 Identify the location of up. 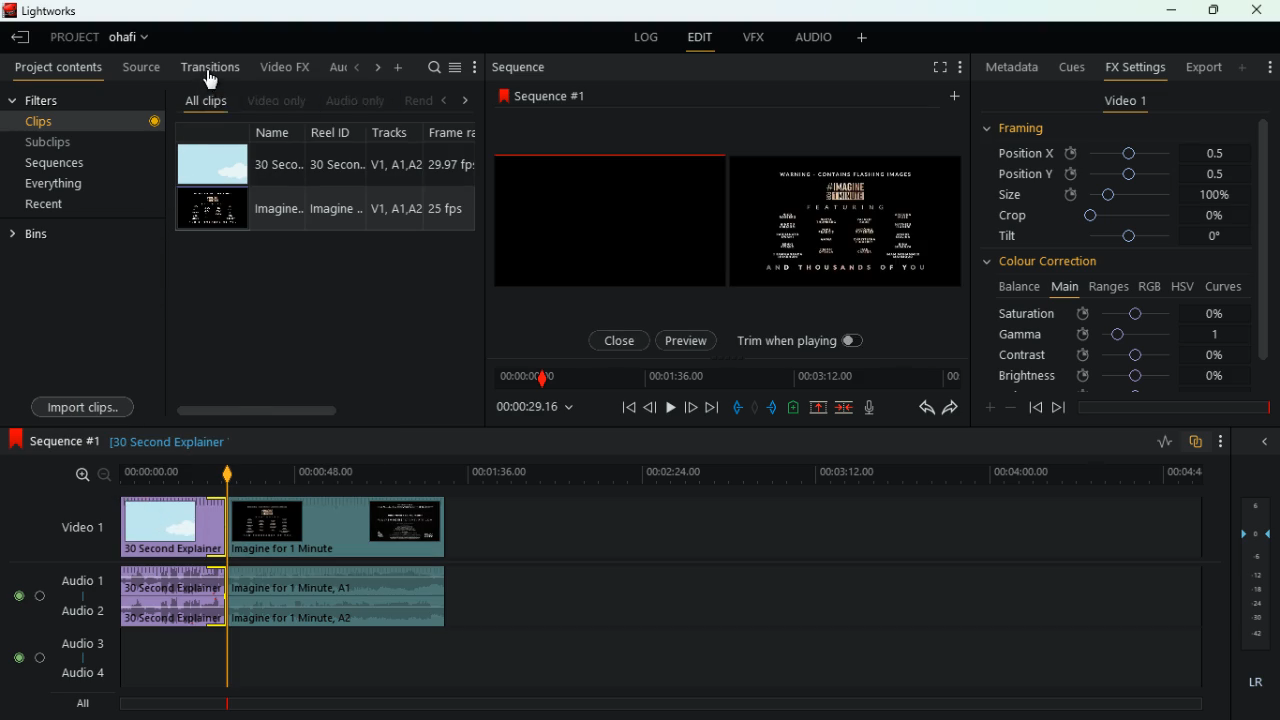
(819, 409).